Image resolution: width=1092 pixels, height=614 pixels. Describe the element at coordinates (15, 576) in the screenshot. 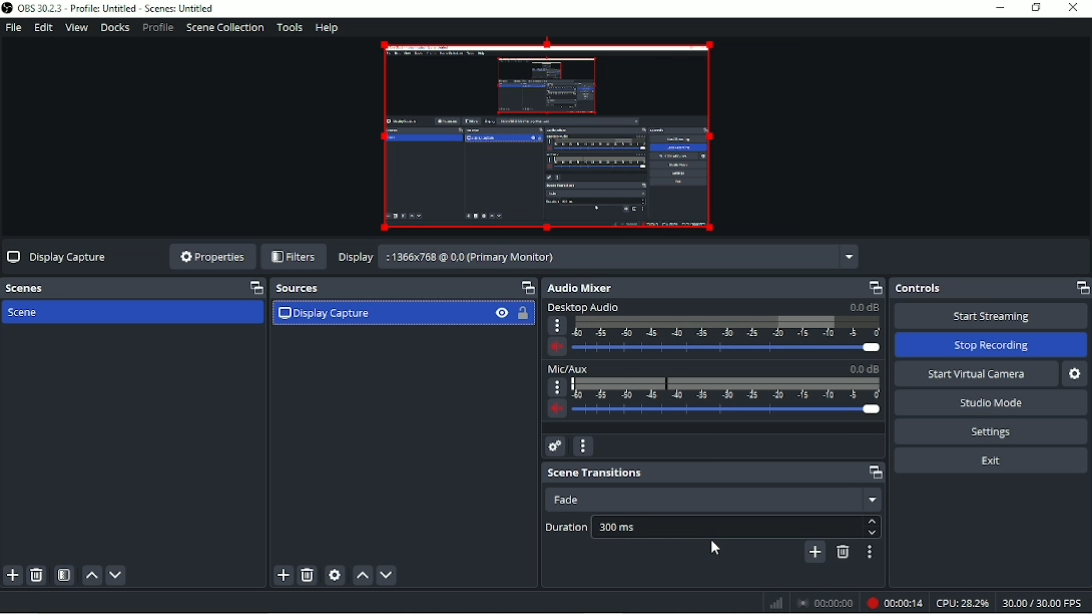

I see `Add scene` at that location.